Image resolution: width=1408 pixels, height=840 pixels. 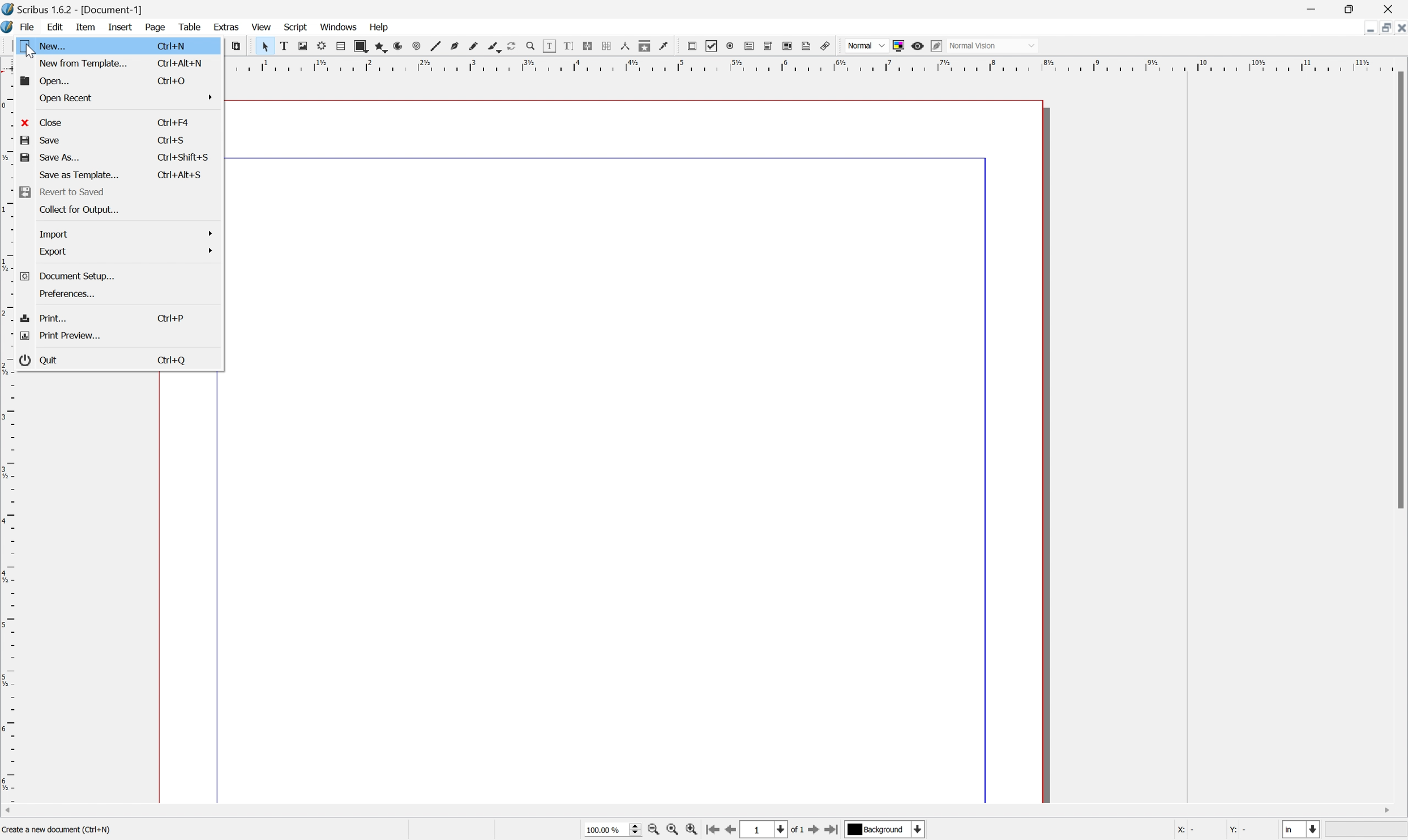 What do you see at coordinates (339, 28) in the screenshot?
I see `Windows` at bounding box center [339, 28].